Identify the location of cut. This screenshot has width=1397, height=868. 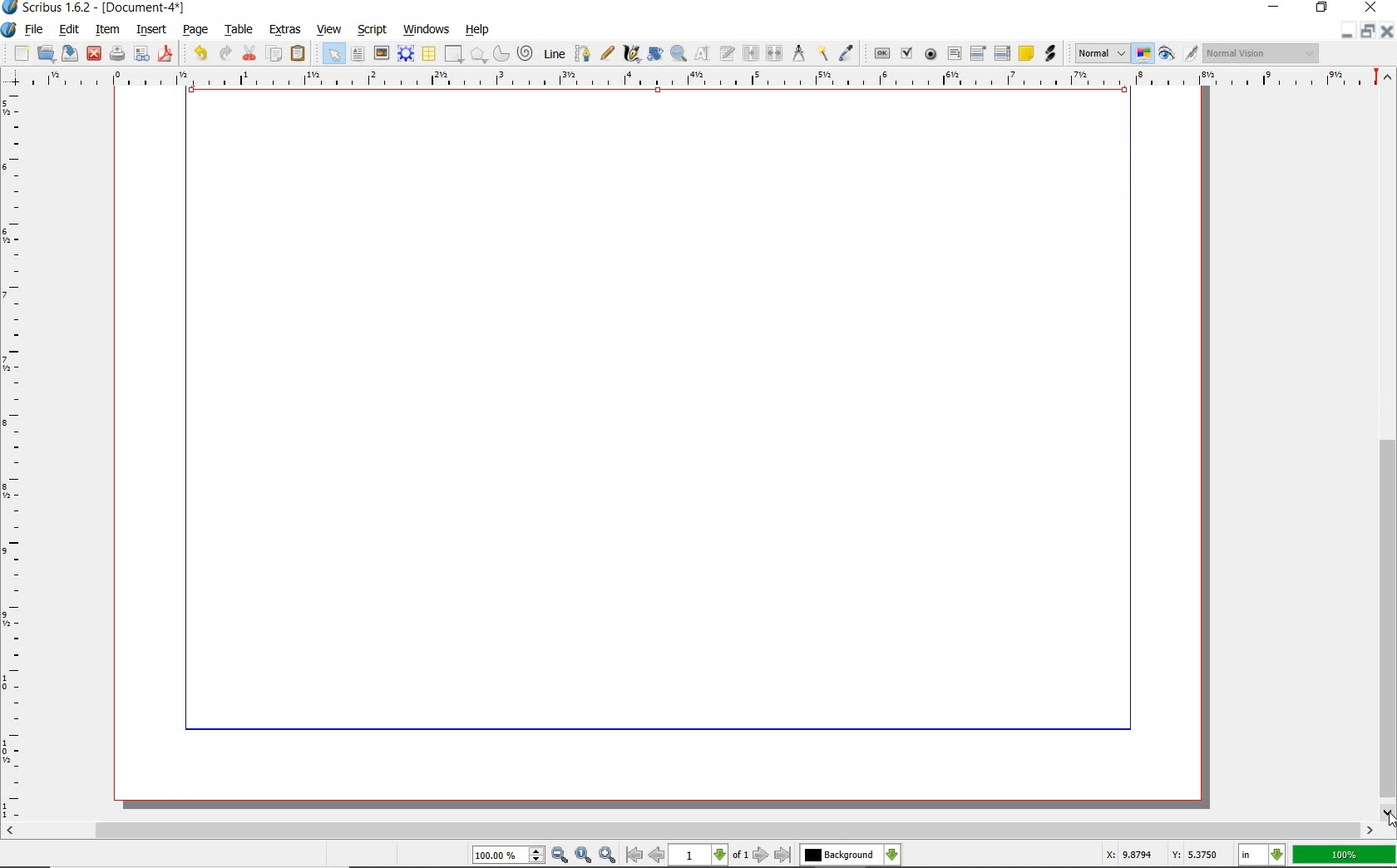
(250, 52).